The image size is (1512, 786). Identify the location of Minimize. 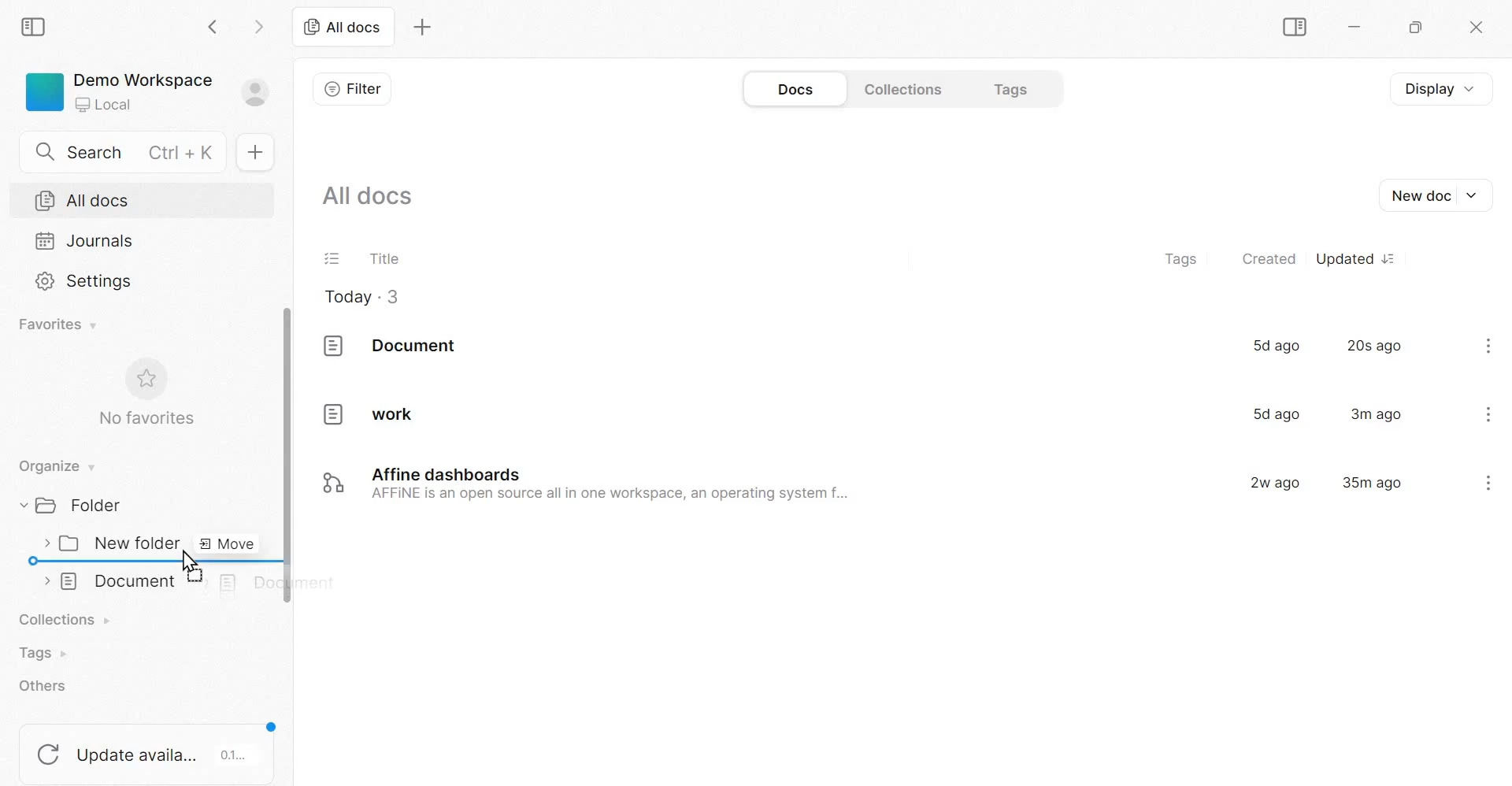
(1354, 27).